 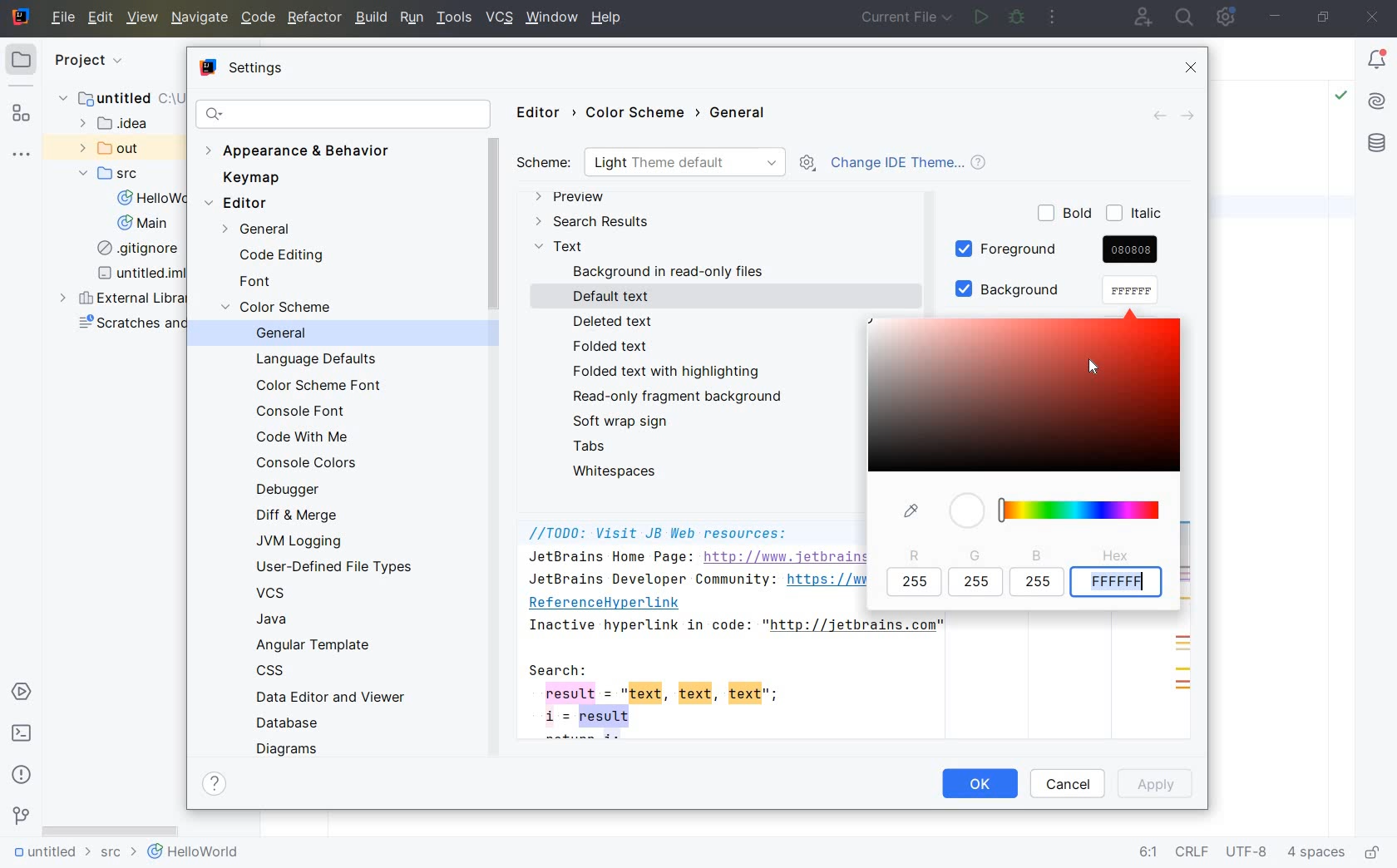 What do you see at coordinates (48, 855) in the screenshot?
I see `untitled` at bounding box center [48, 855].